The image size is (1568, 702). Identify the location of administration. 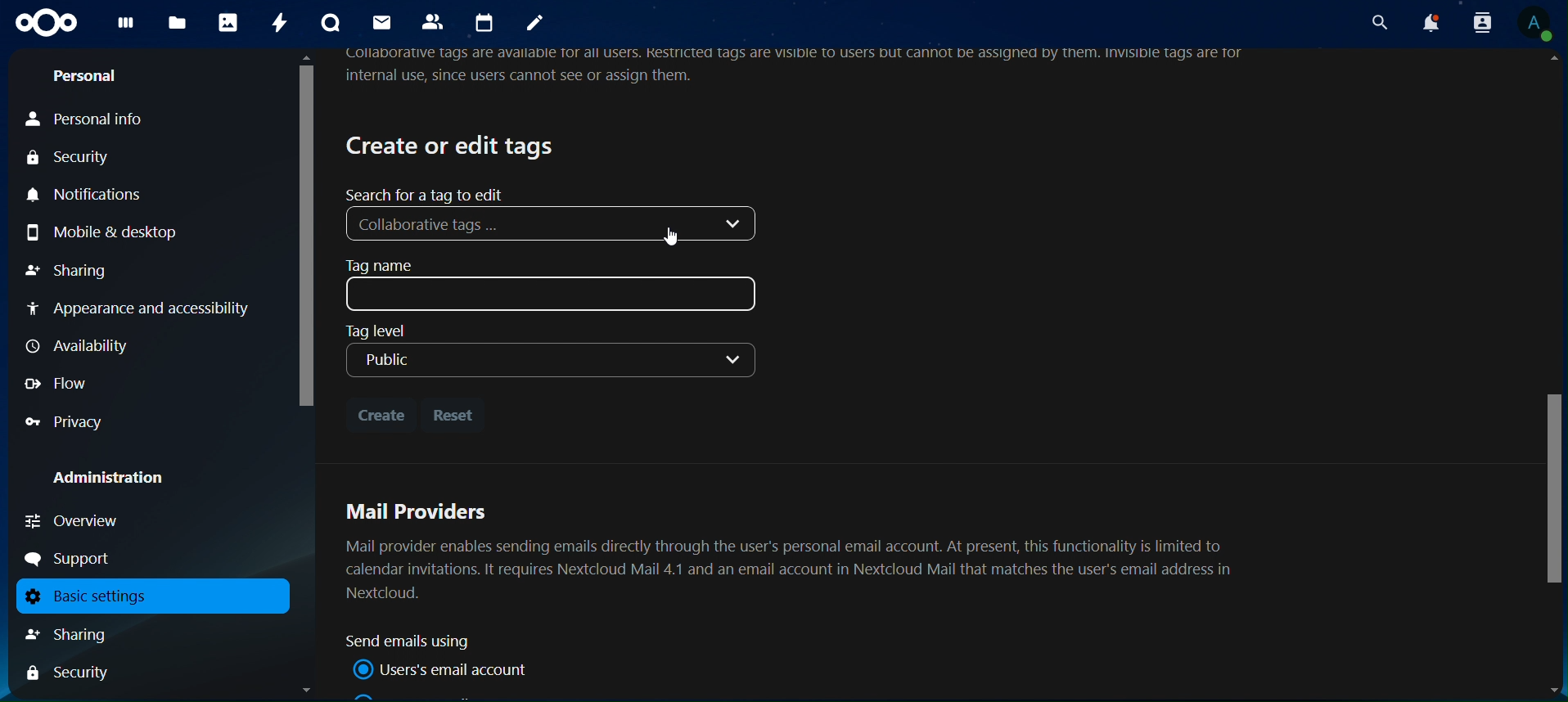
(120, 479).